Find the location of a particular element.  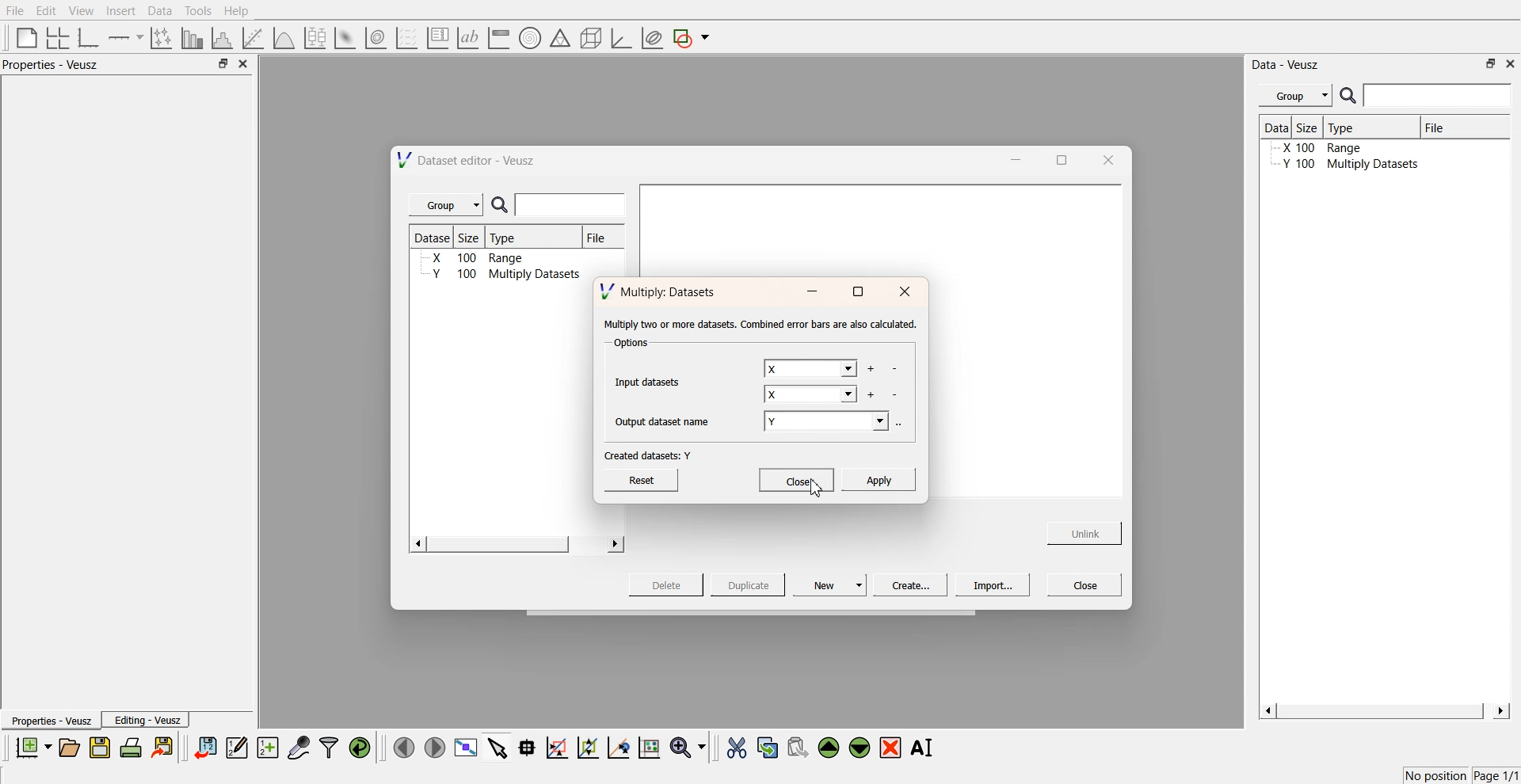

maximise is located at coordinates (1057, 158).